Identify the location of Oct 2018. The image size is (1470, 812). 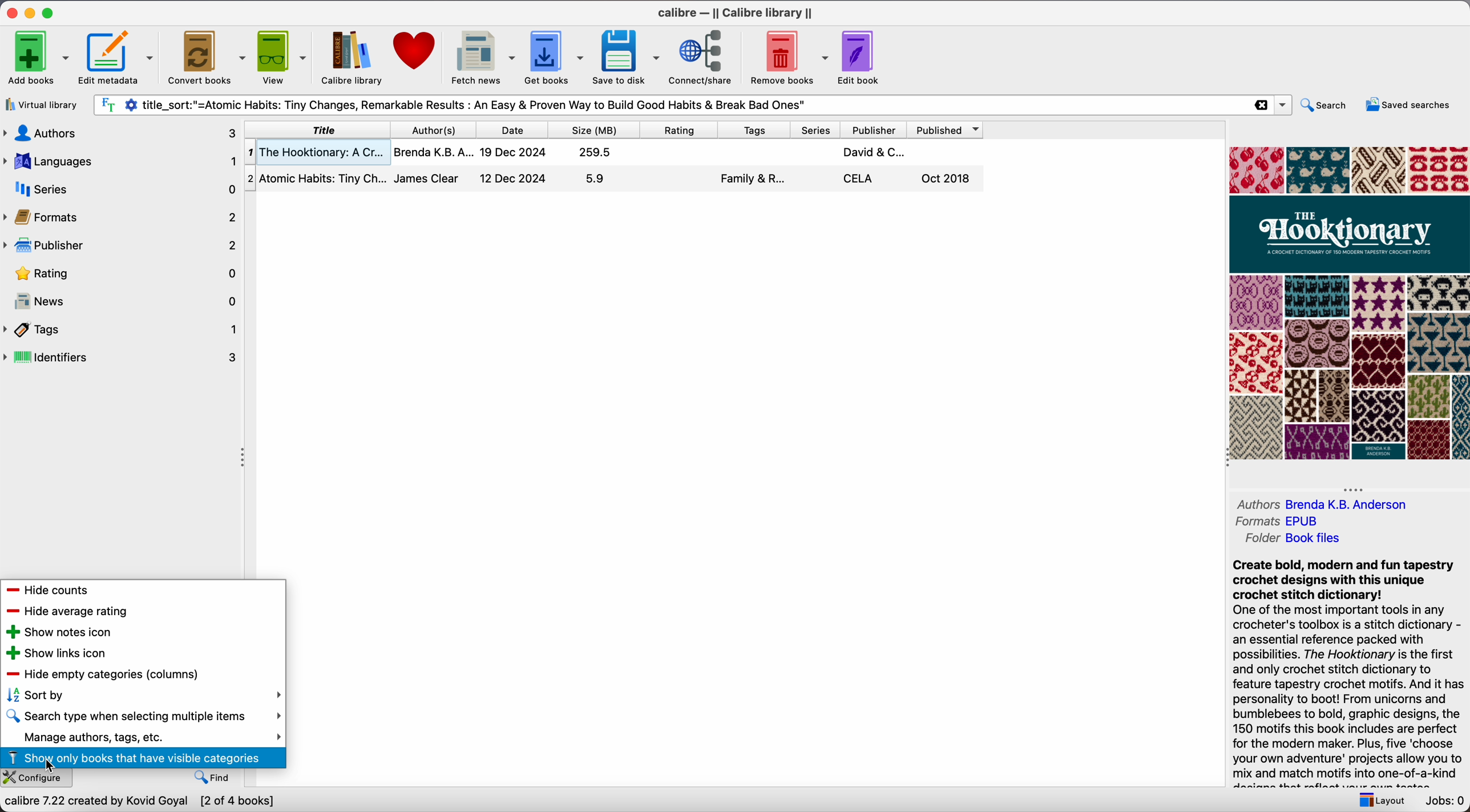
(947, 180).